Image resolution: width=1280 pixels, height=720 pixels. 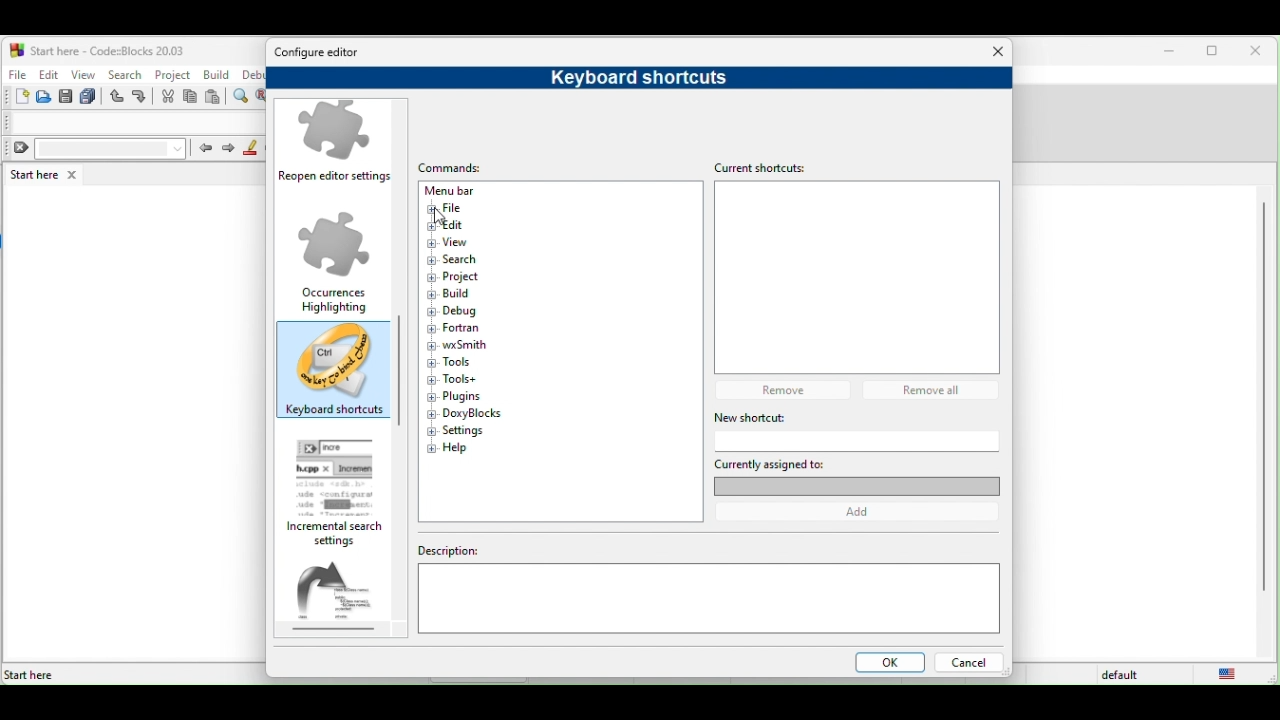 What do you see at coordinates (30, 675) in the screenshot?
I see `Start here` at bounding box center [30, 675].